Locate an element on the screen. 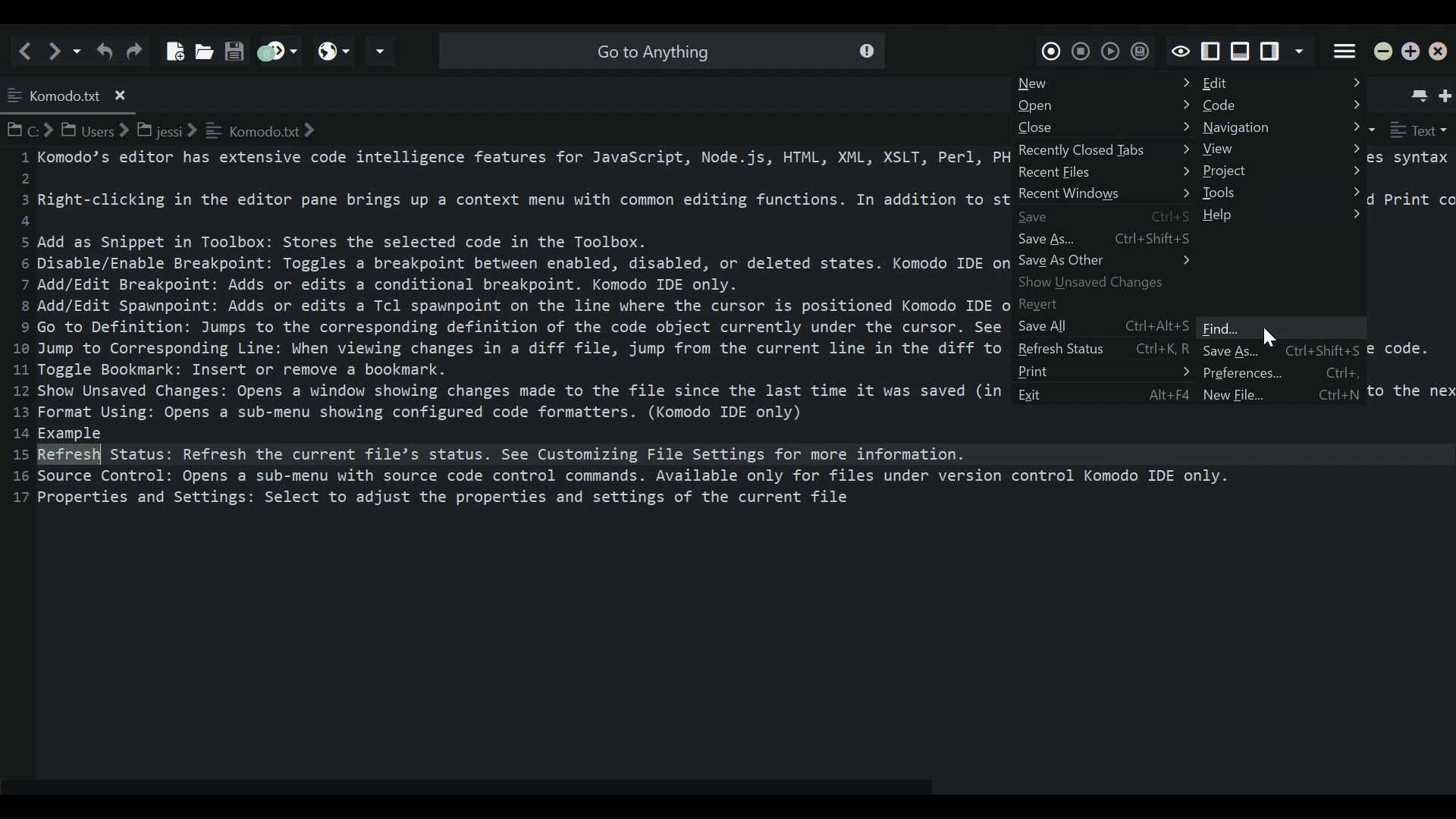 Image resolution: width=1456 pixels, height=819 pixels. Undo is located at coordinates (104, 50).